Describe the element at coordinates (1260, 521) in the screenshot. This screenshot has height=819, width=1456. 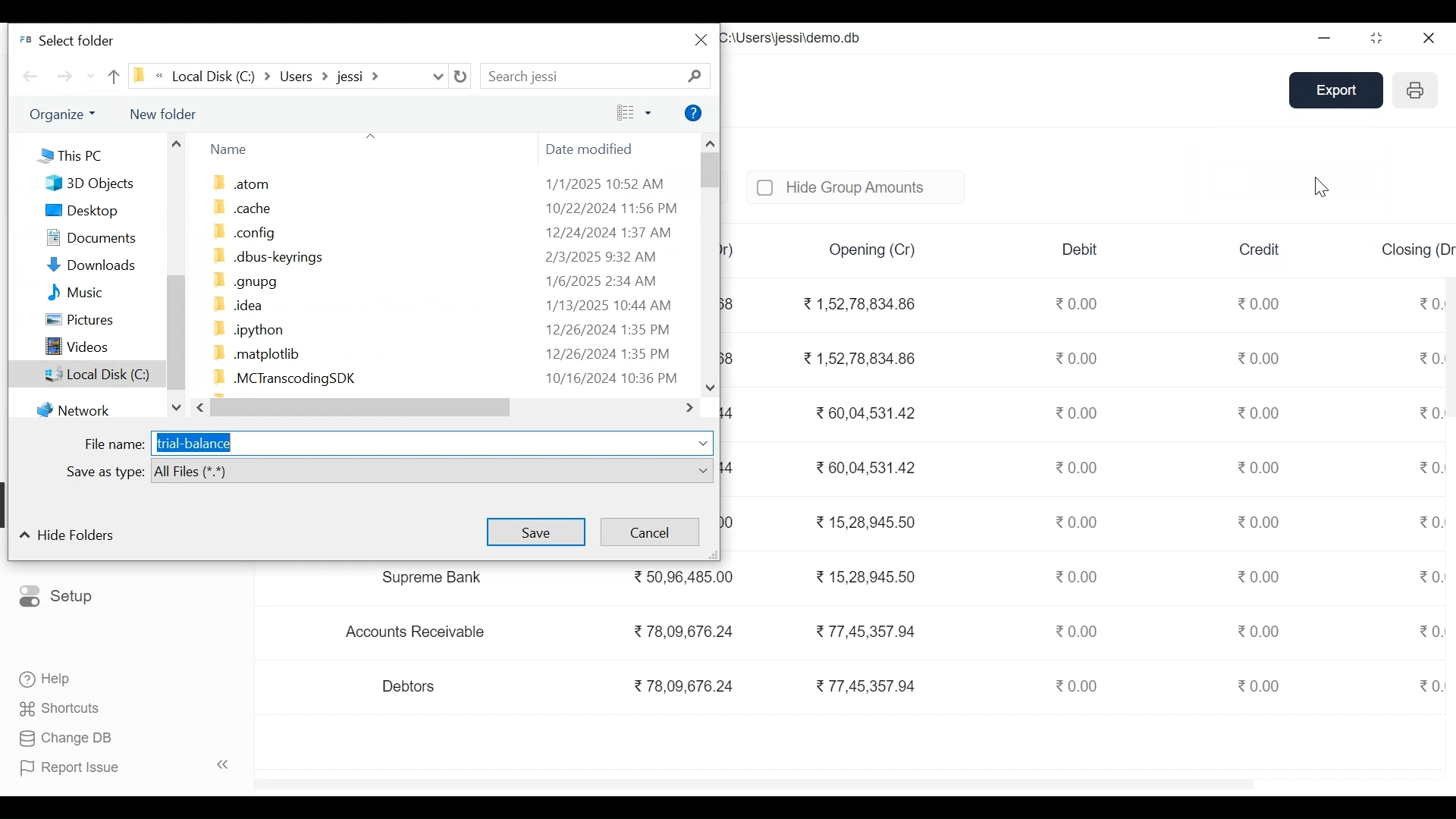
I see `0.00` at that location.